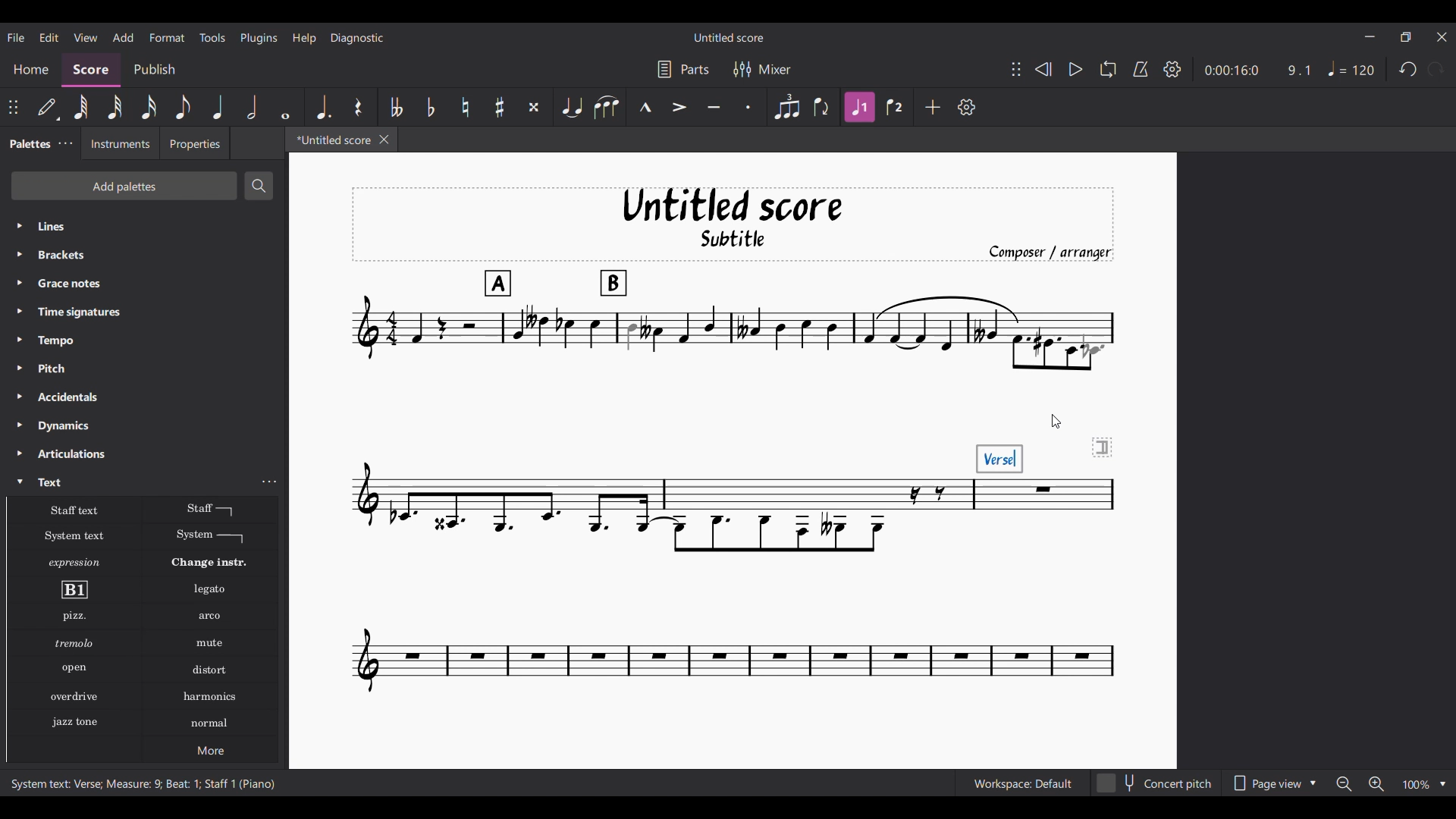 The height and width of the screenshot is (819, 1456). I want to click on Augmentation dot, so click(322, 107).